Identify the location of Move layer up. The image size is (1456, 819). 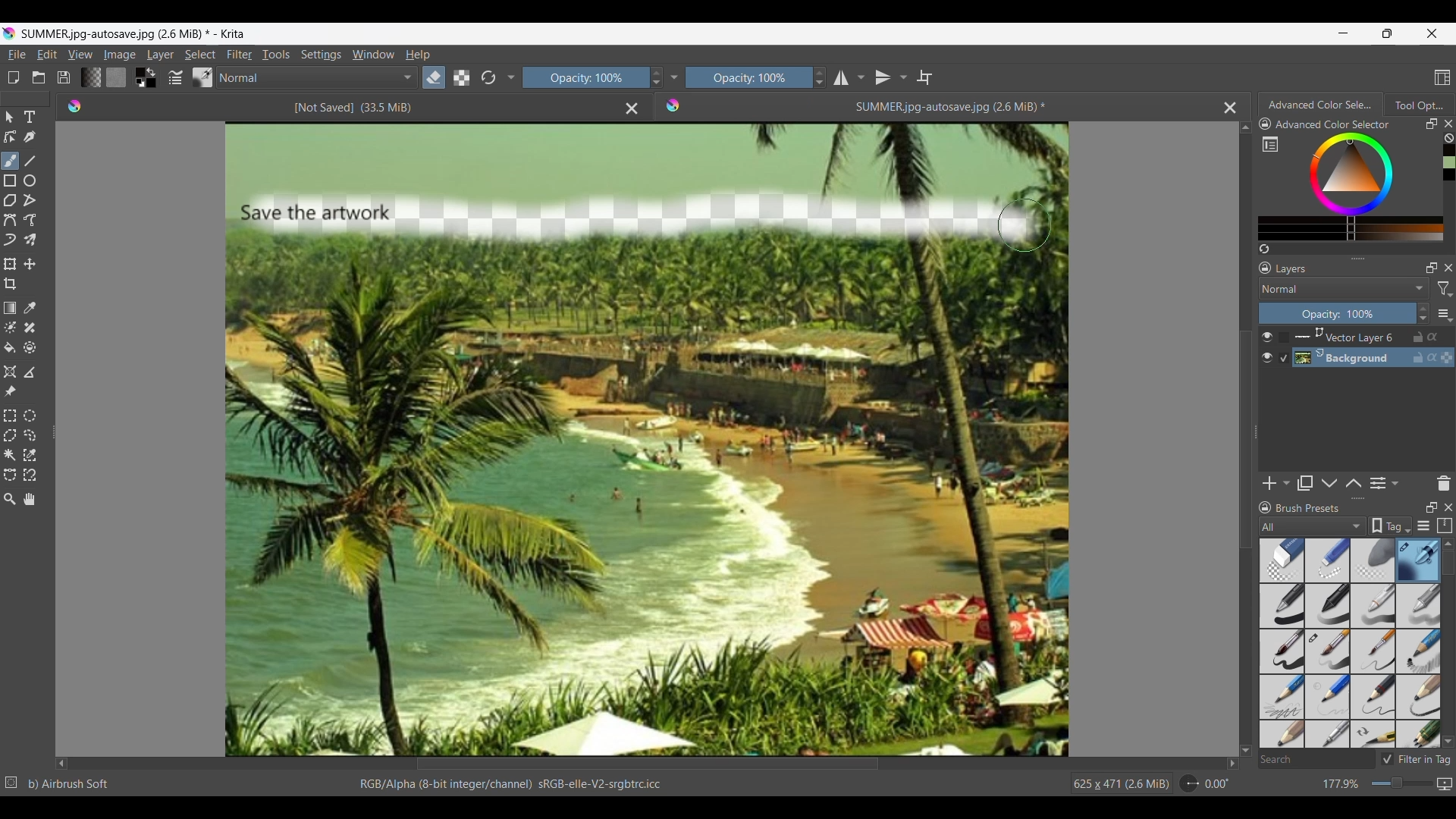
(1354, 482).